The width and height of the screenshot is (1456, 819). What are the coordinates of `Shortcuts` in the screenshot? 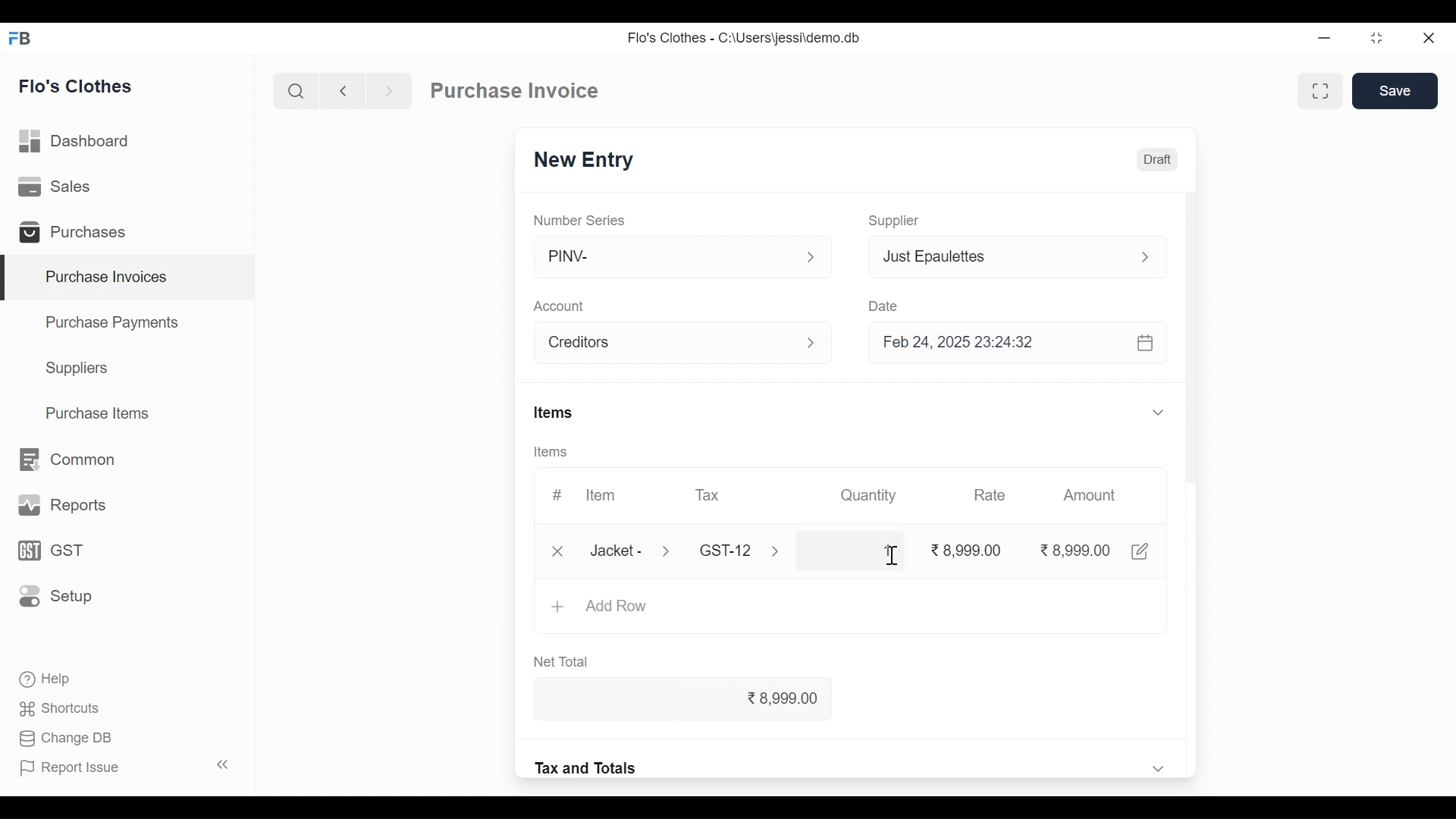 It's located at (60, 710).